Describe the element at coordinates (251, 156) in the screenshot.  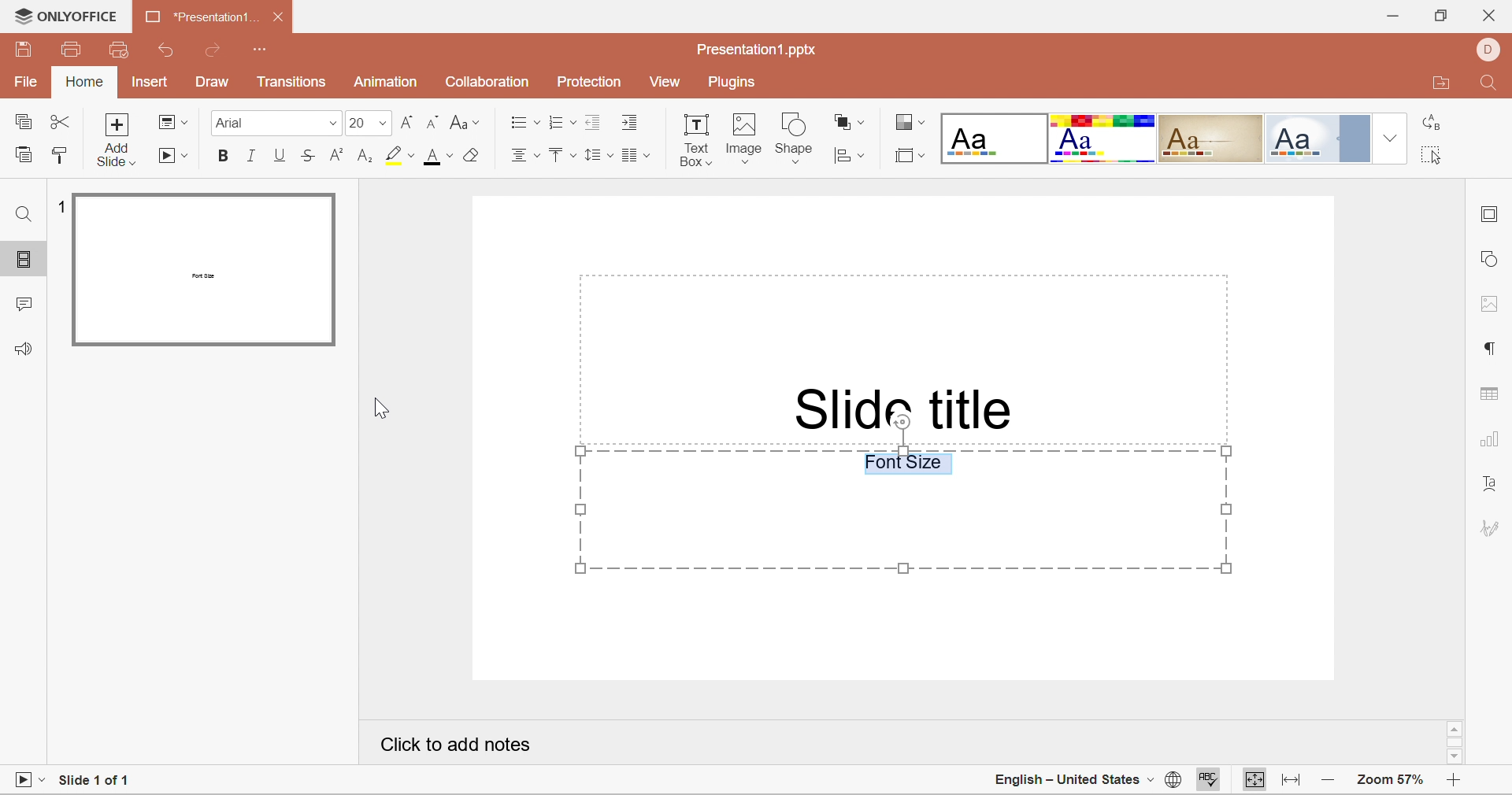
I see `Italic` at that location.